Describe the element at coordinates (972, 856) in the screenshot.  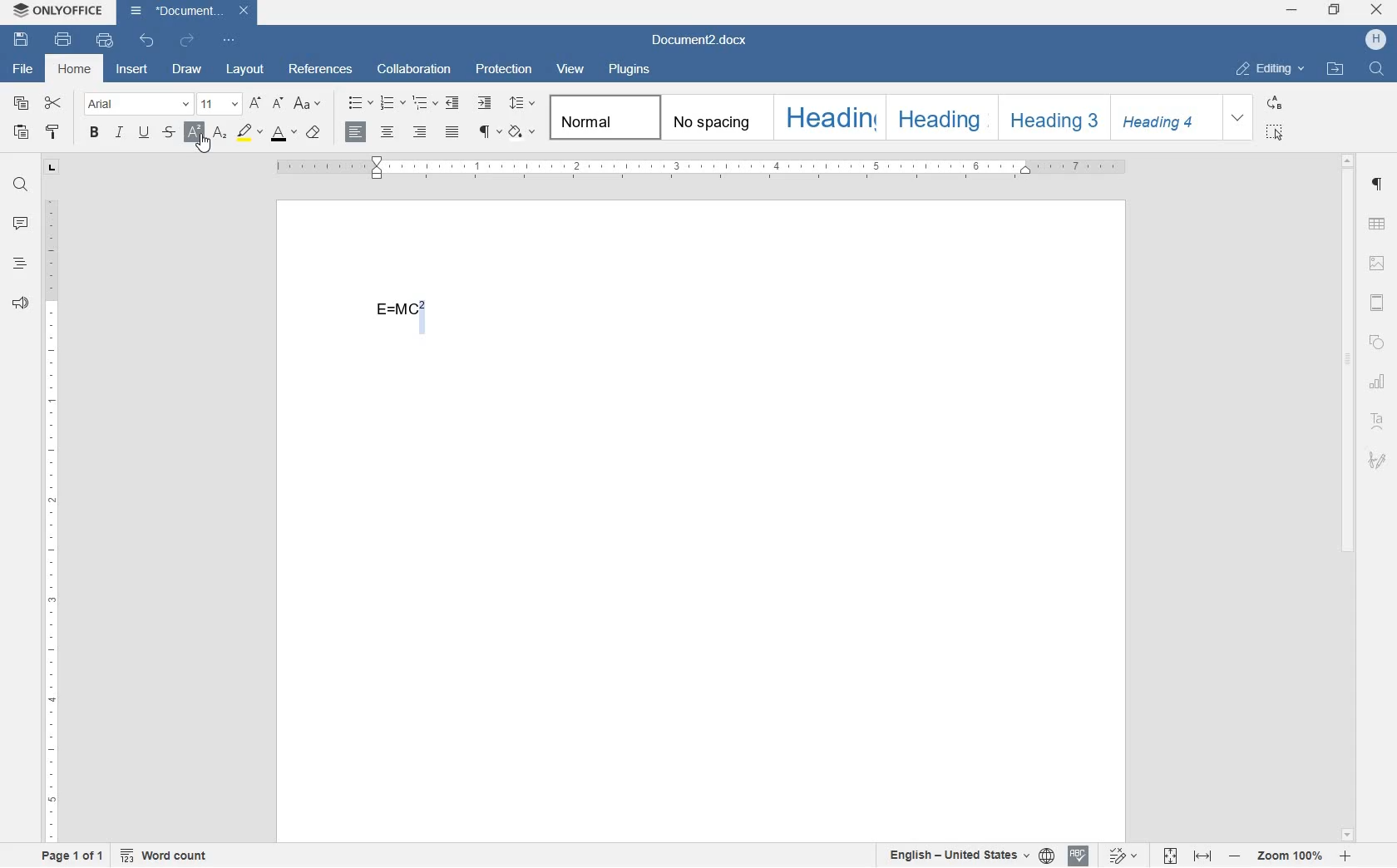
I see `text or document language` at that location.